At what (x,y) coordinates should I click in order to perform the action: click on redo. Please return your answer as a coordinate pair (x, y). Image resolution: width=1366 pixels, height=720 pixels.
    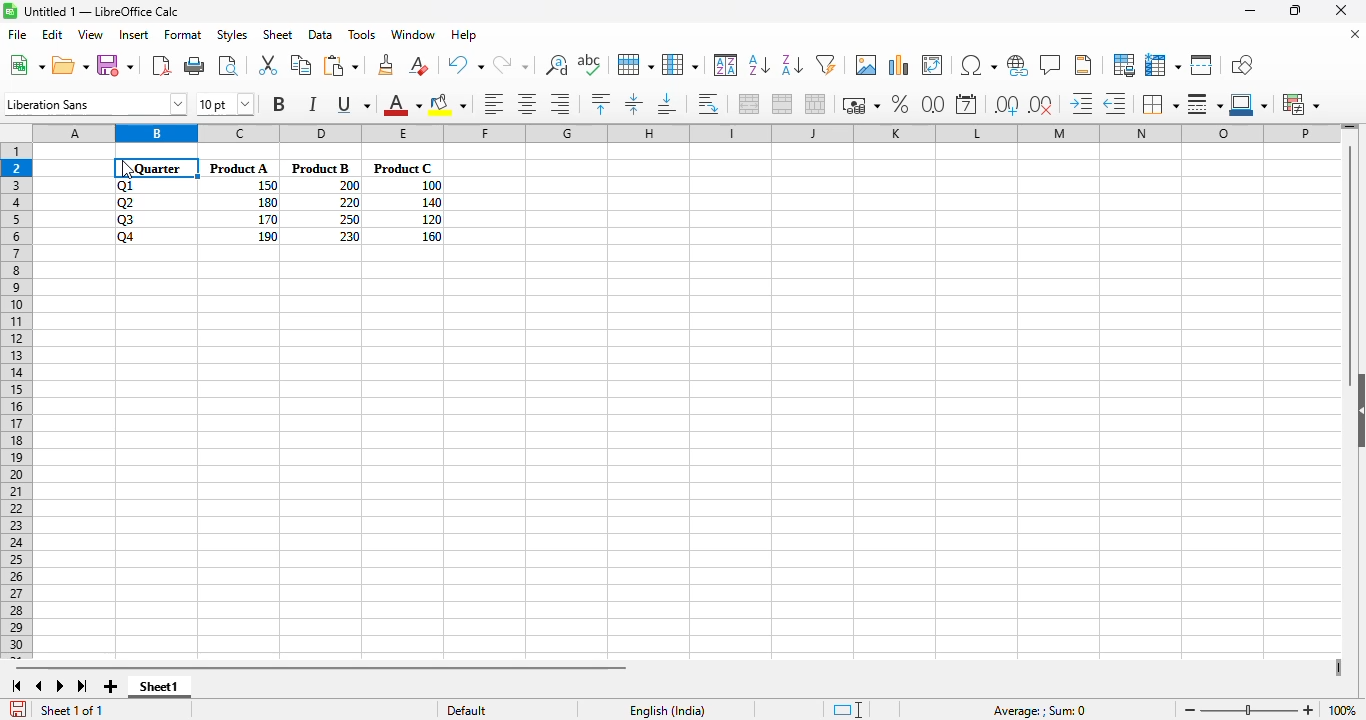
    Looking at the image, I should click on (510, 65).